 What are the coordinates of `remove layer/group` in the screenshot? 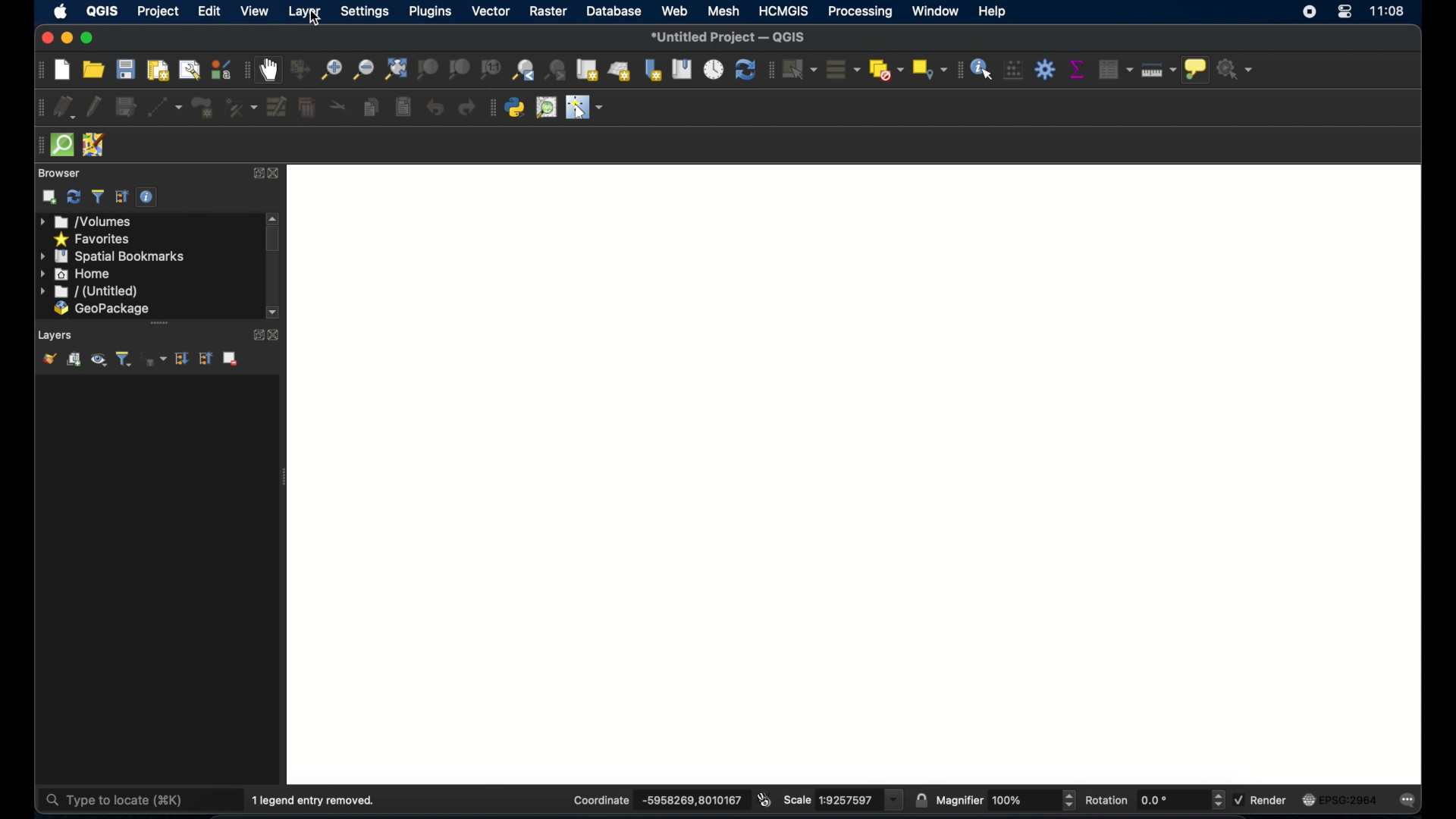 It's located at (234, 359).